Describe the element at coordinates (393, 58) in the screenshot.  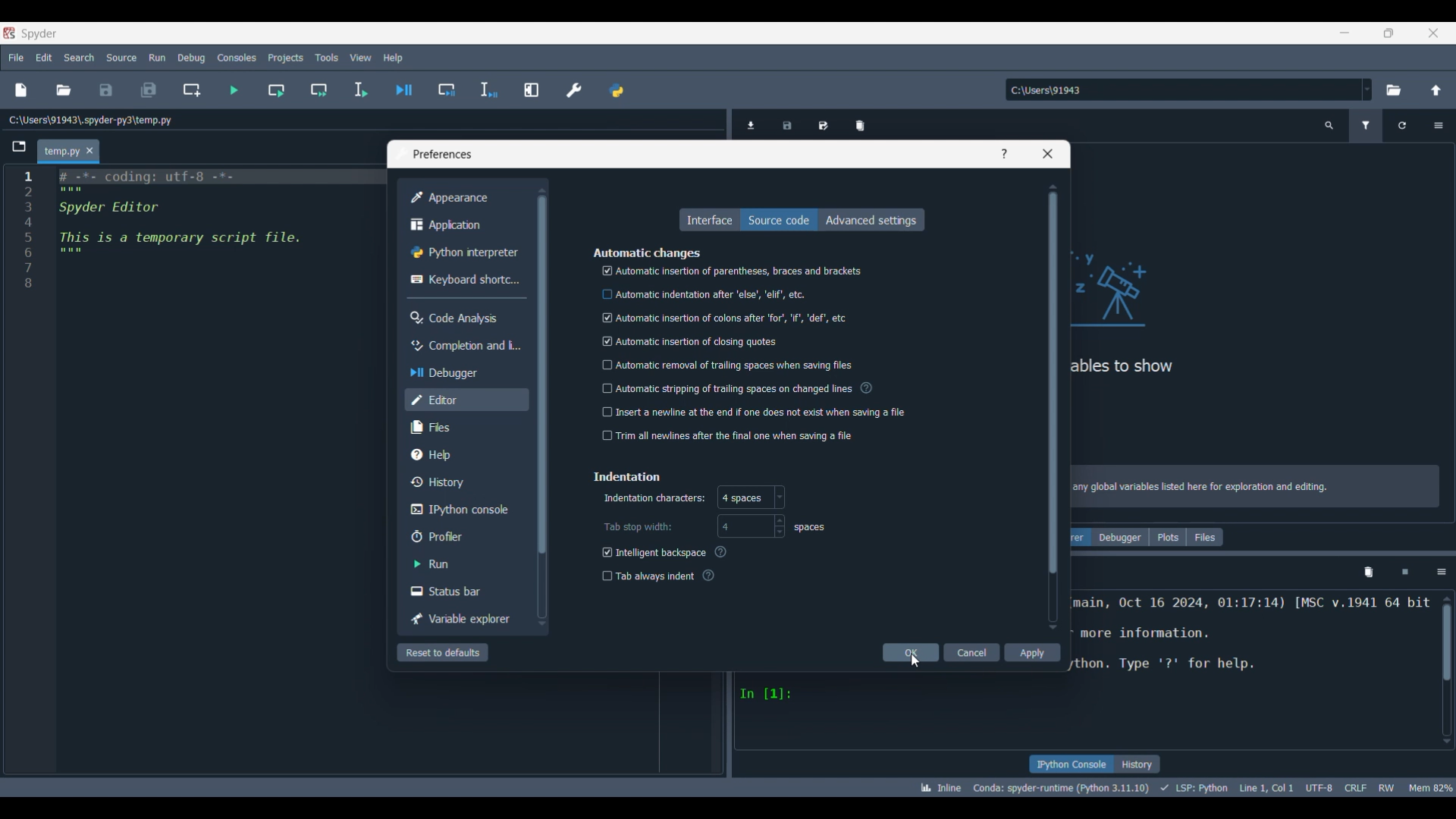
I see `Help menu` at that location.